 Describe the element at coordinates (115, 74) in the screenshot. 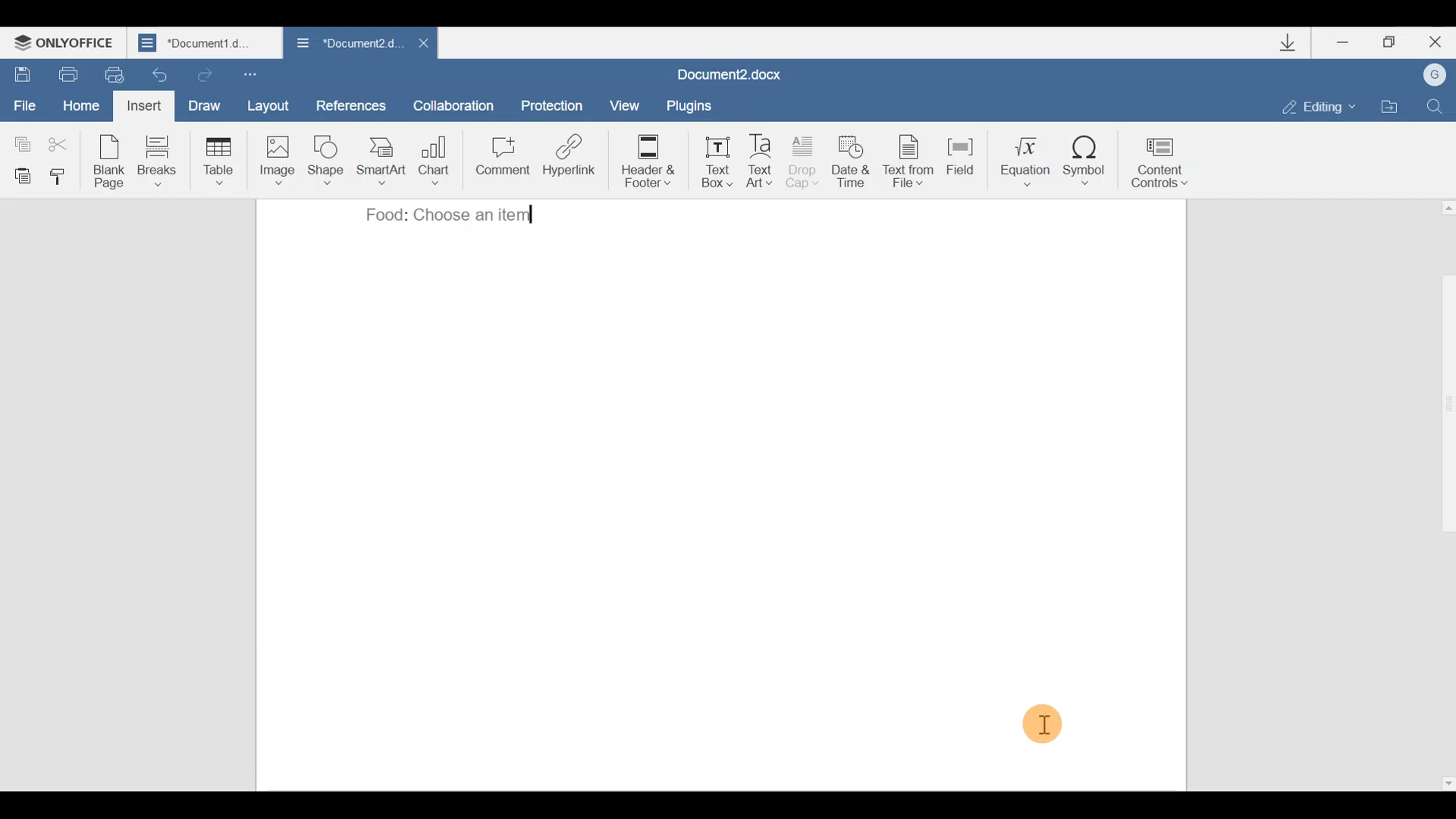

I see `Quick print` at that location.